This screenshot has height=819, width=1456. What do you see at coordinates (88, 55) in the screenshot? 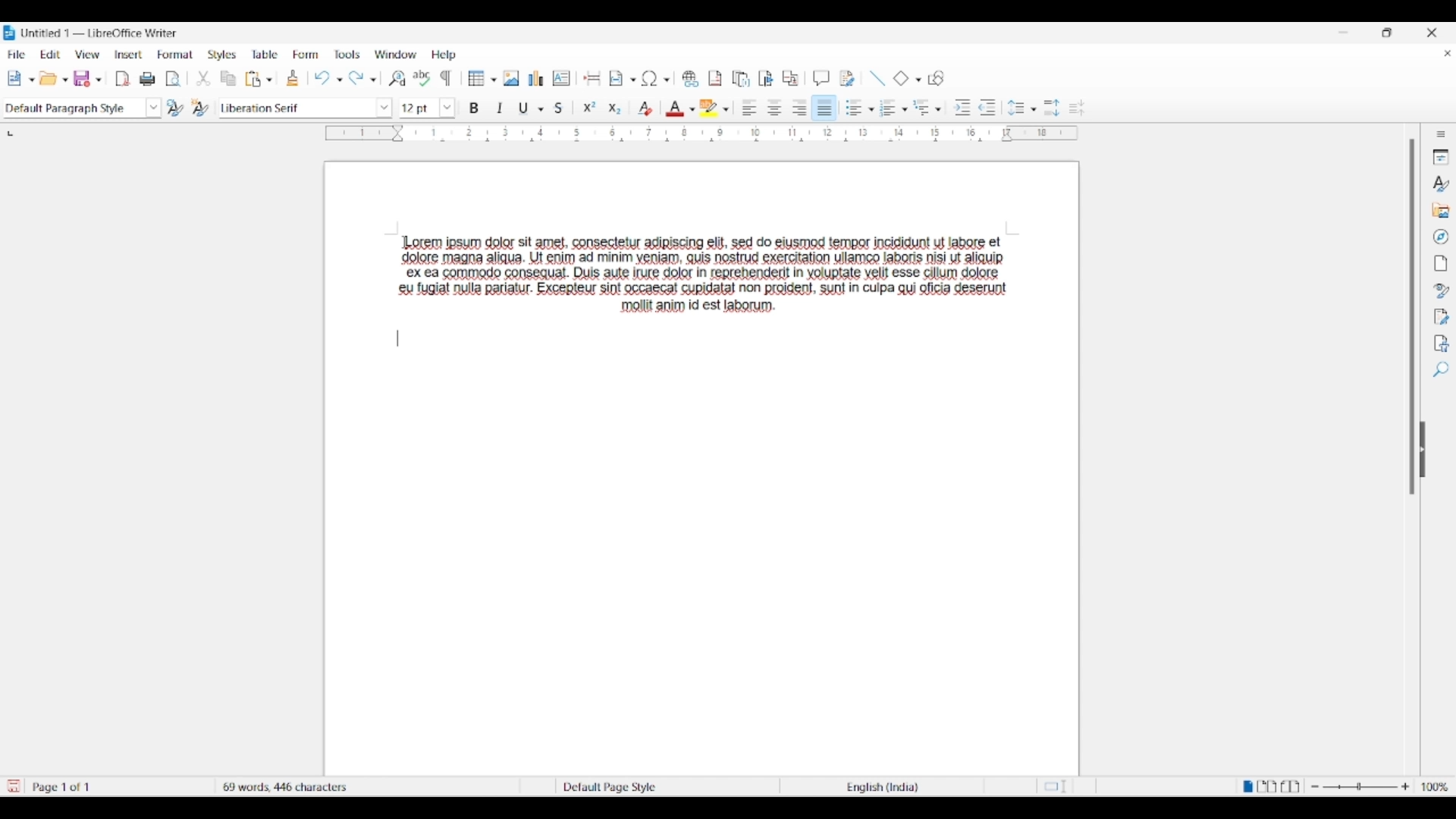
I see `View` at bounding box center [88, 55].